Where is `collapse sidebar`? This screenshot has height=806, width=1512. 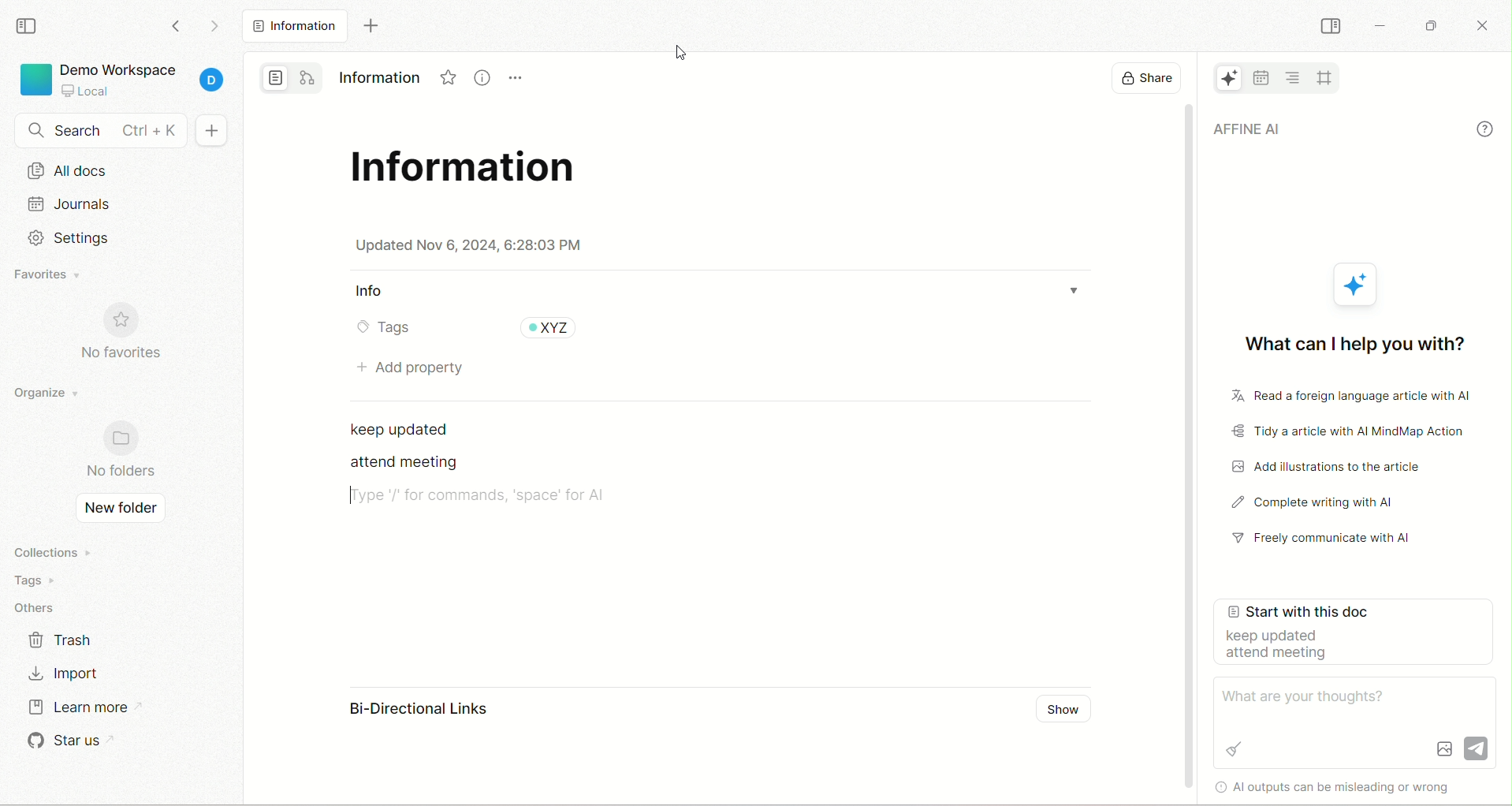
collapse sidebar is located at coordinates (27, 27).